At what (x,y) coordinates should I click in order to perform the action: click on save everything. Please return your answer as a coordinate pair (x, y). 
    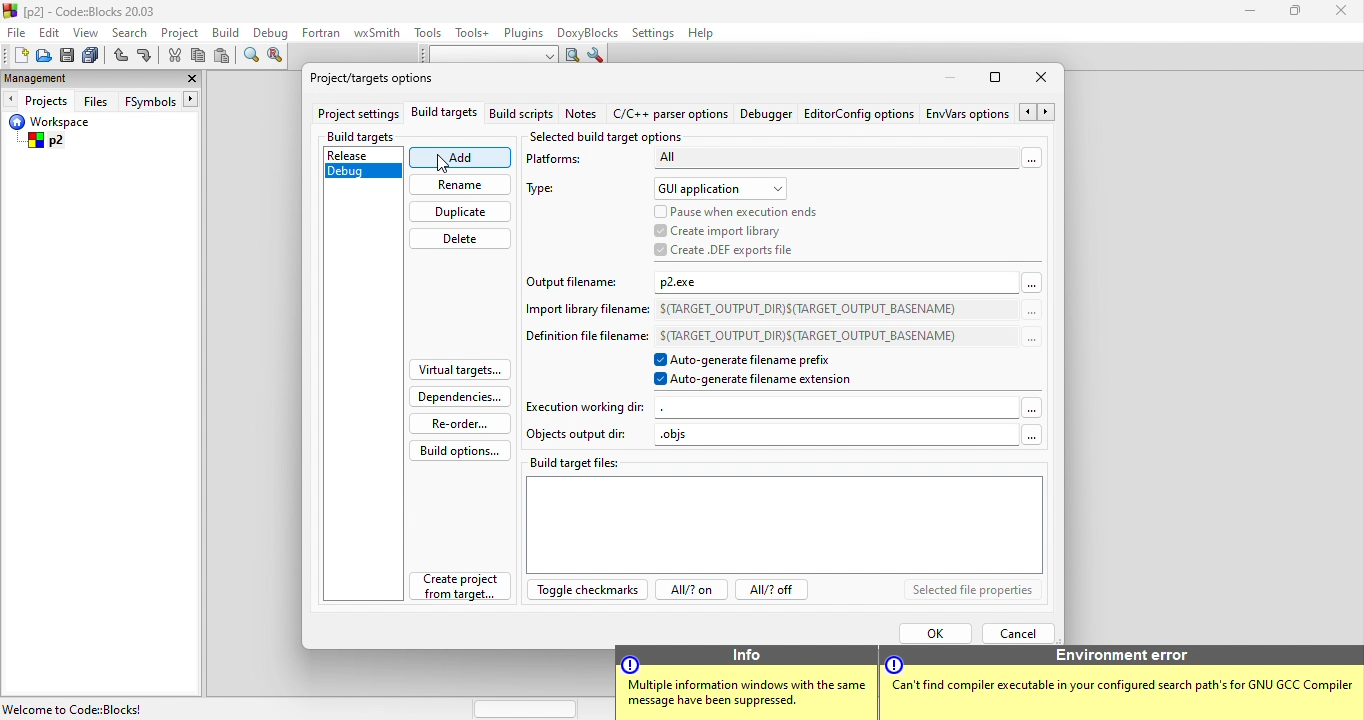
    Looking at the image, I should click on (92, 56).